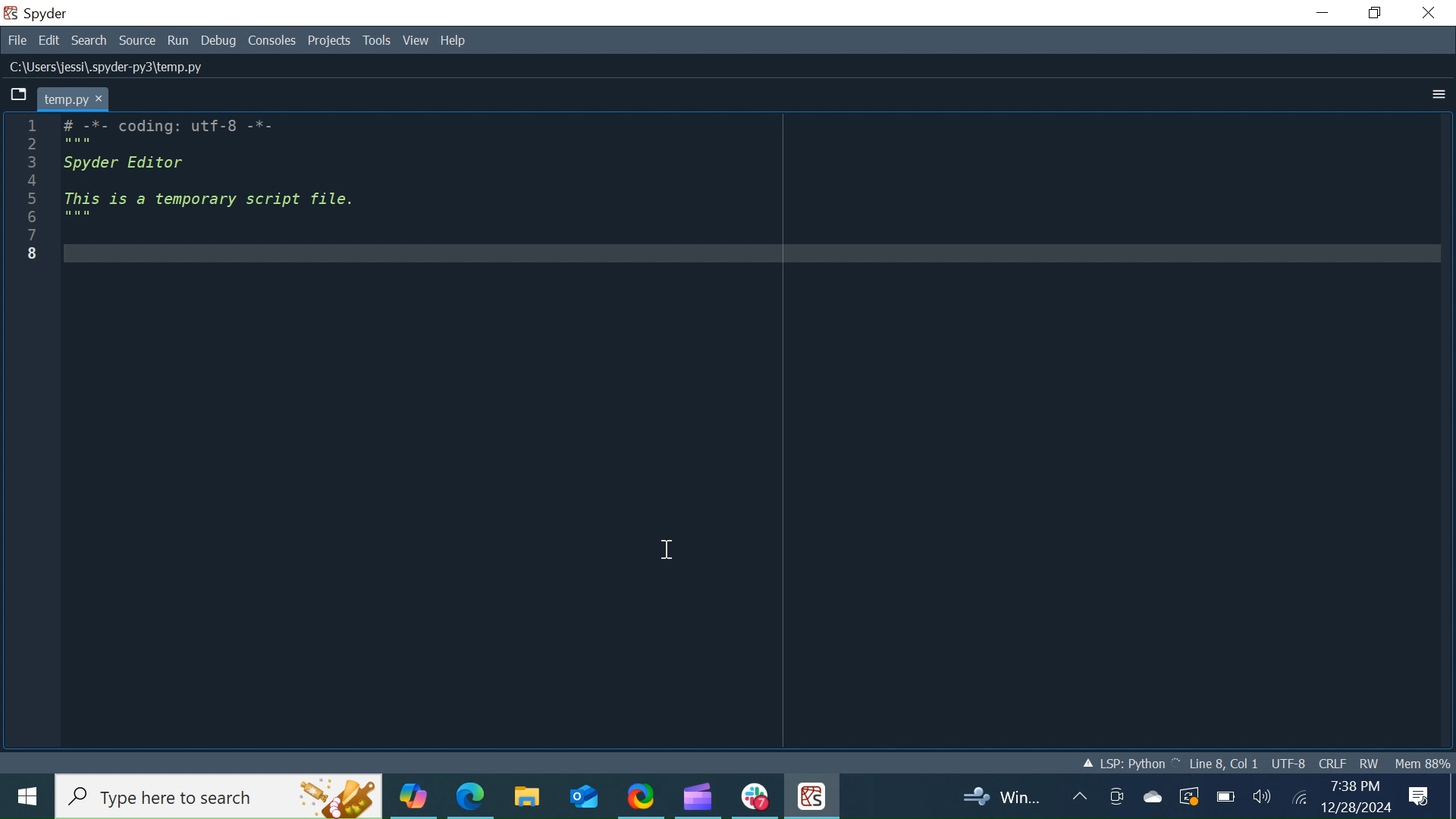  I want to click on Time, so click(1353, 786).